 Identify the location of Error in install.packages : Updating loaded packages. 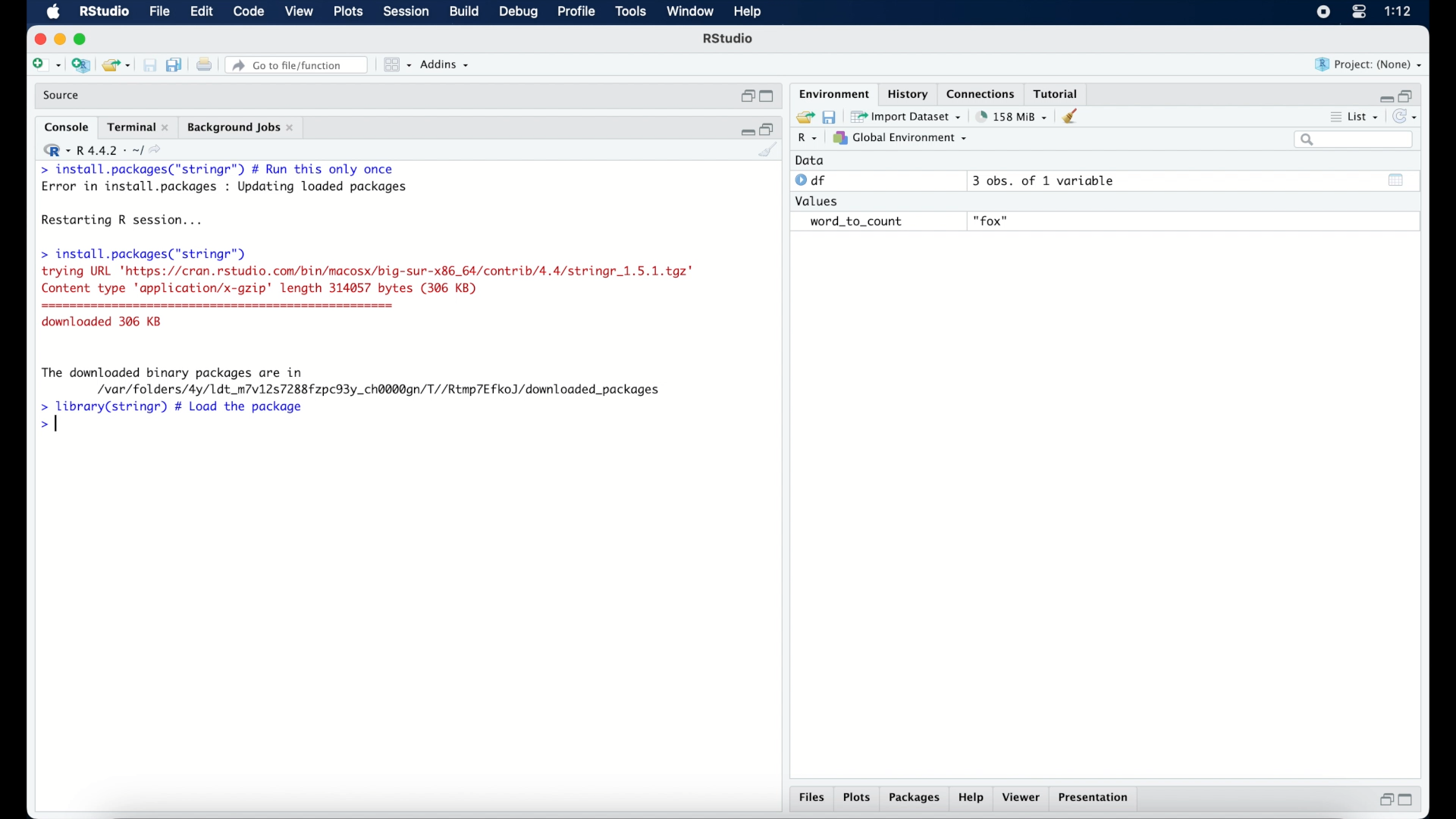
(224, 187).